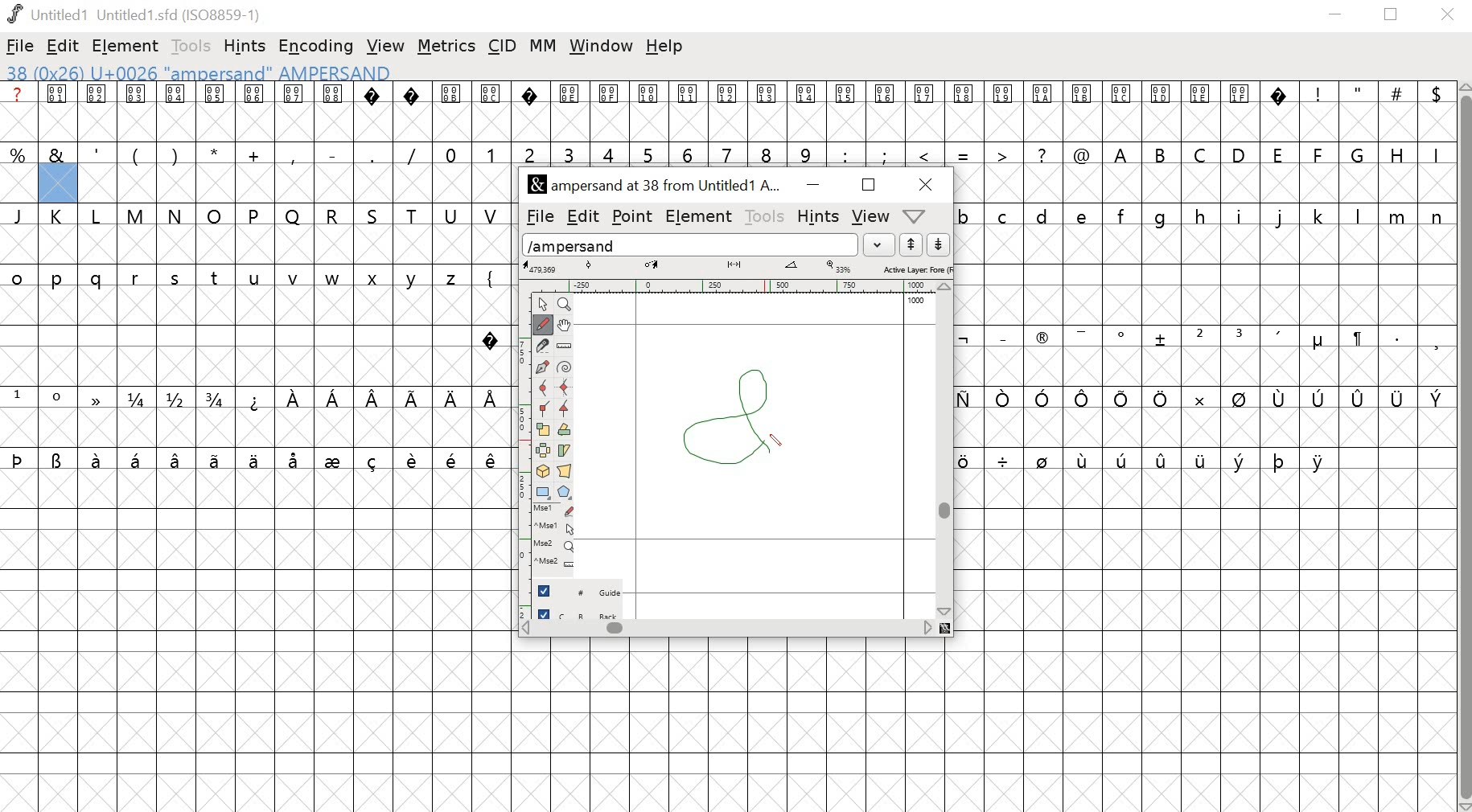 This screenshot has width=1472, height=812. Describe the element at coordinates (1437, 215) in the screenshot. I see `n` at that location.